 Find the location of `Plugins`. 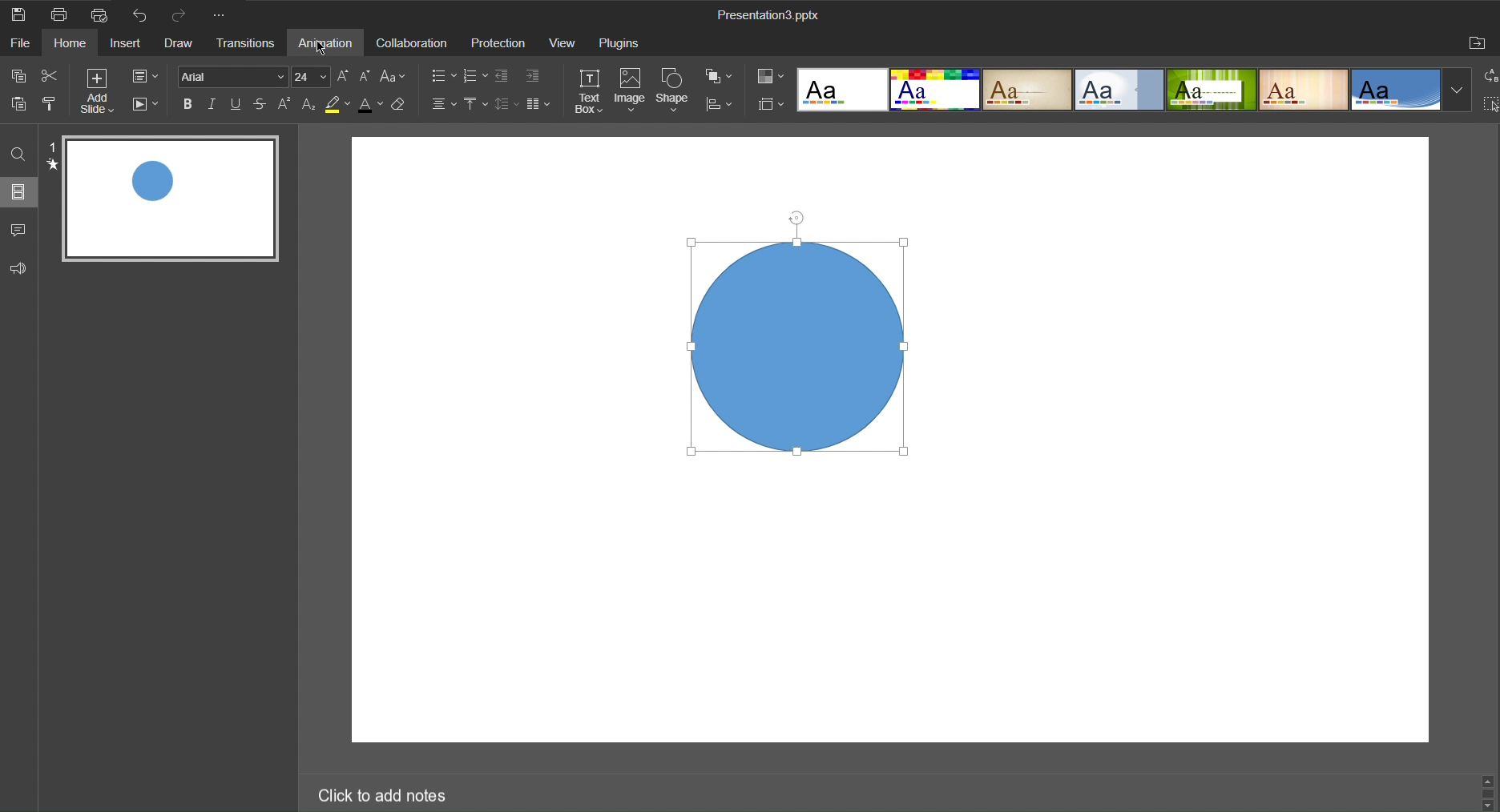

Plugins is located at coordinates (616, 44).